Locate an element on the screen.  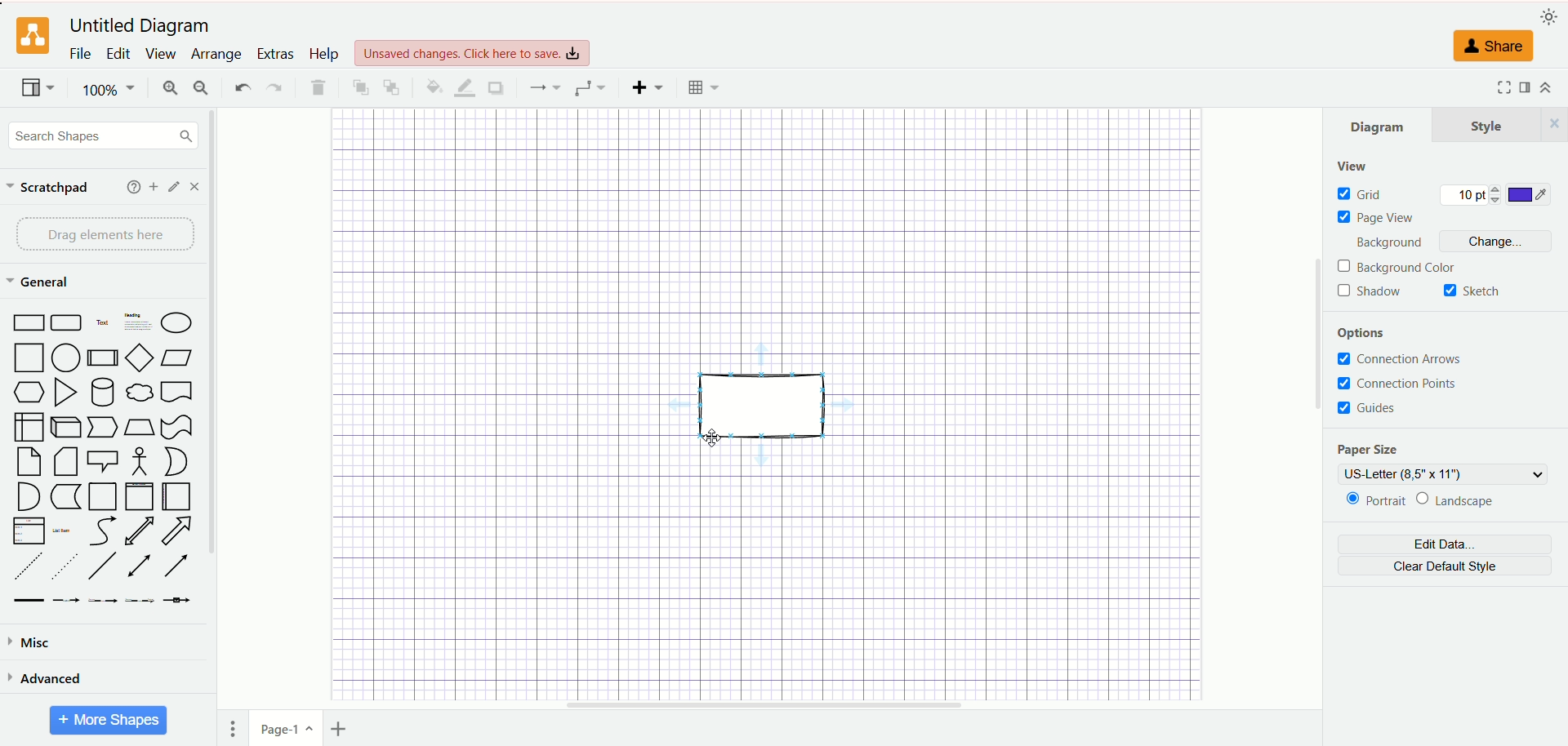
guides is located at coordinates (1374, 410).